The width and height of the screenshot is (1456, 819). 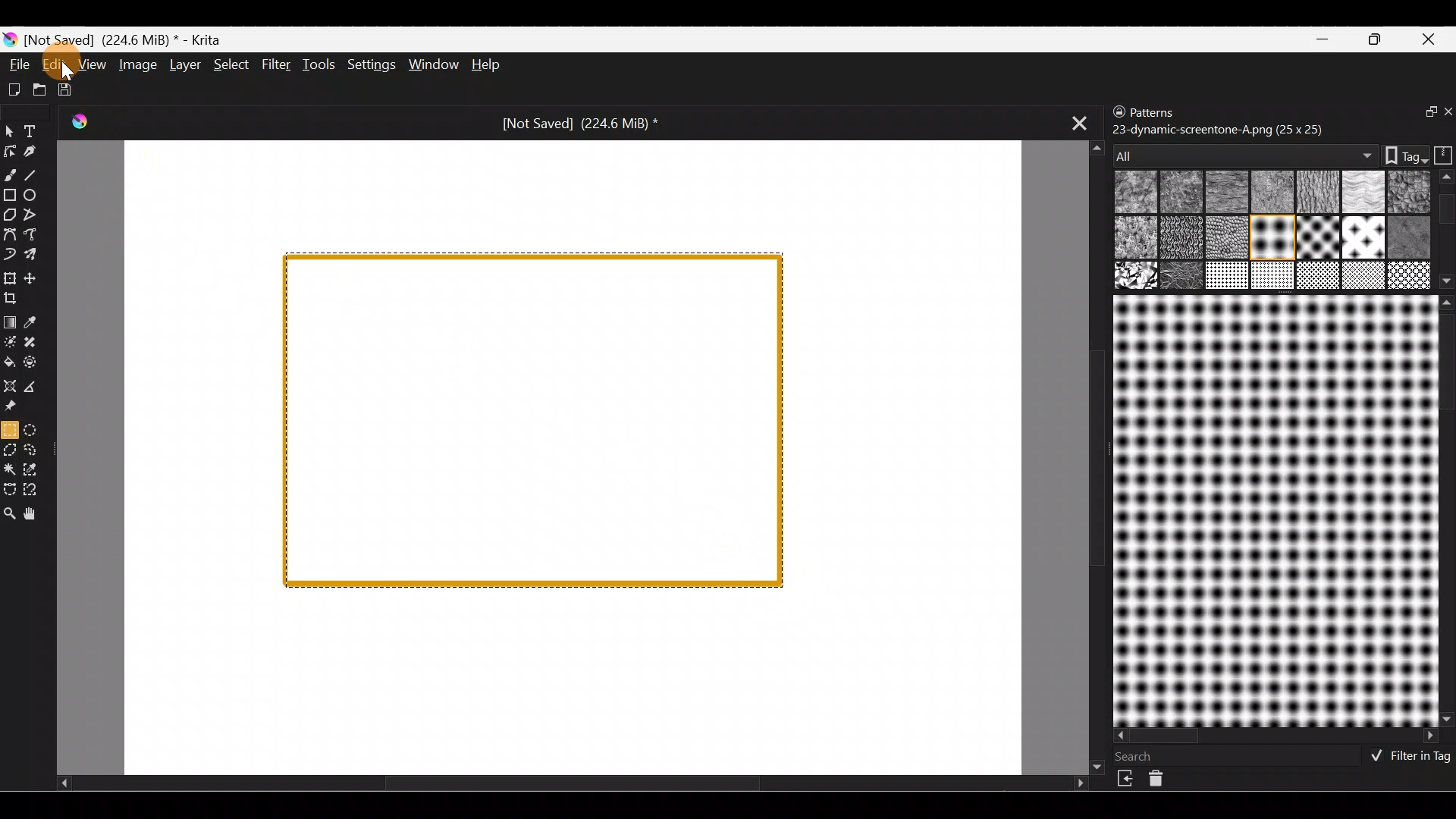 What do you see at coordinates (1131, 193) in the screenshot?
I see `01 canvas.png` at bounding box center [1131, 193].